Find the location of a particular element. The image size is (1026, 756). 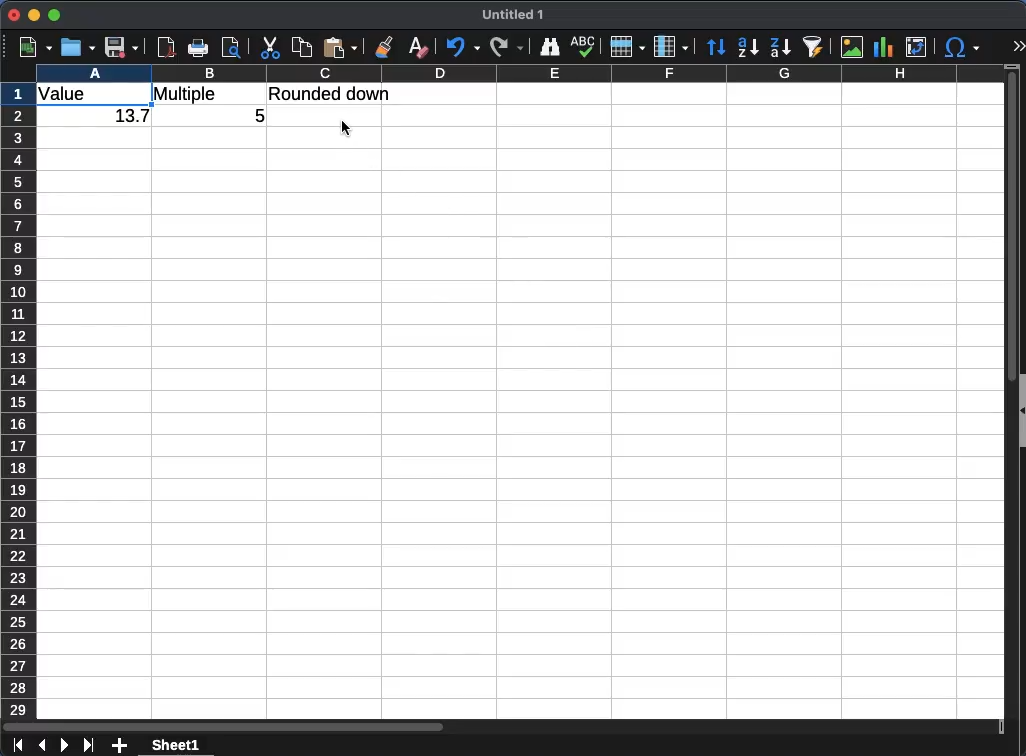

paste is located at coordinates (342, 47).